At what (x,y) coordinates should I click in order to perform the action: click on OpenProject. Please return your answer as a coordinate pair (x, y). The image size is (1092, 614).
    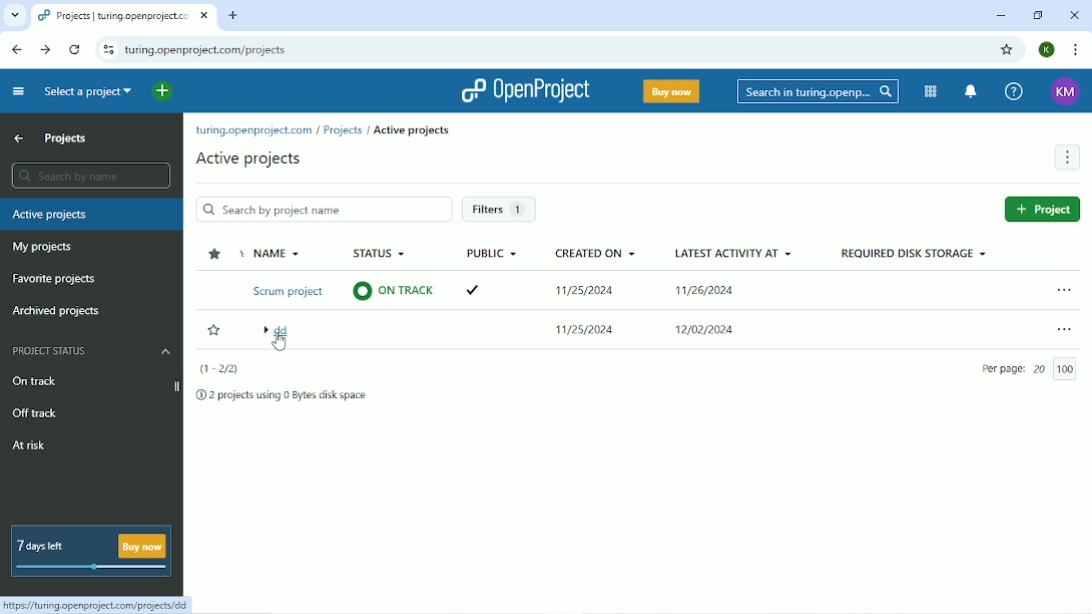
    Looking at the image, I should click on (527, 91).